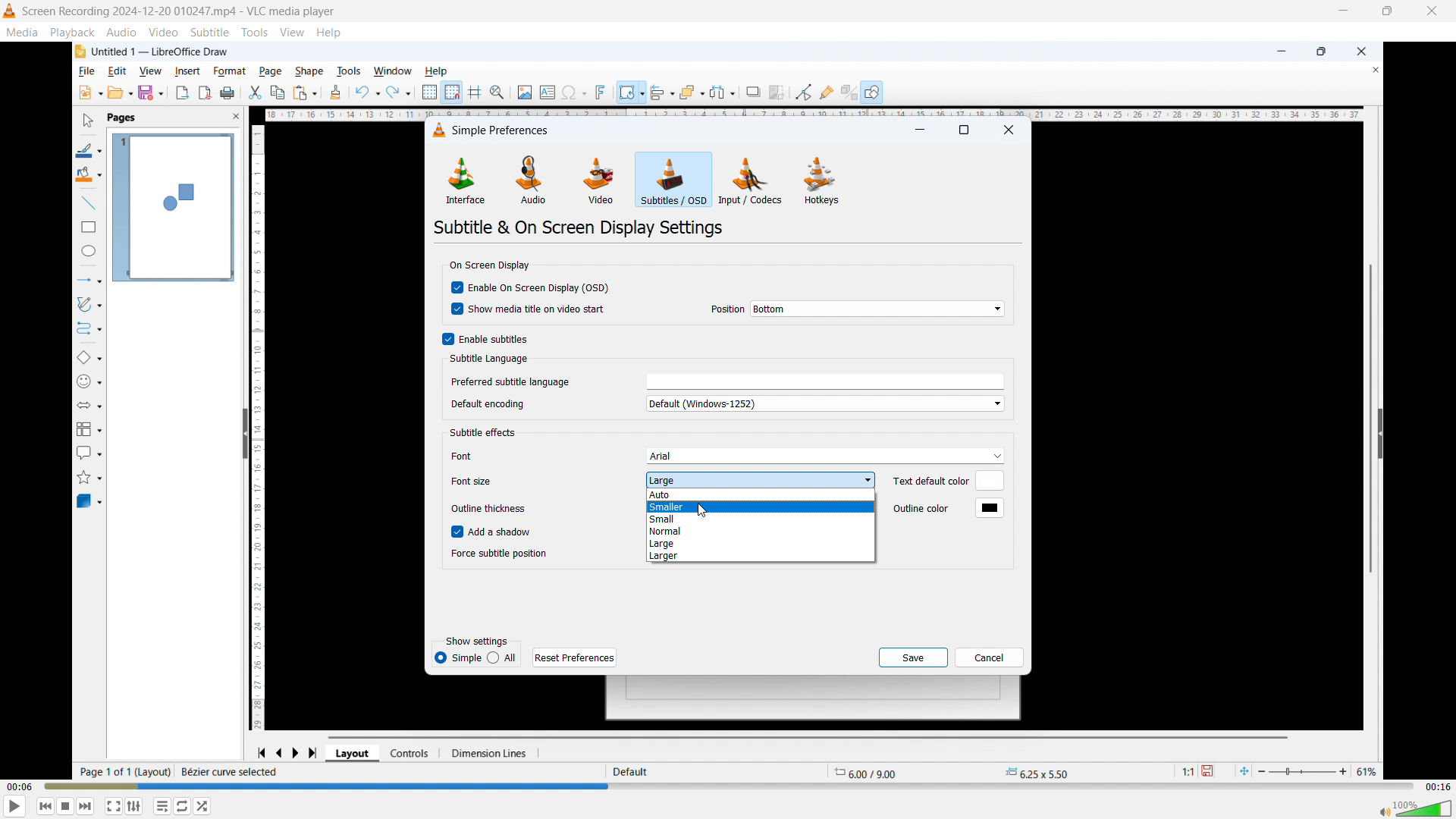 This screenshot has width=1456, height=819. What do you see at coordinates (457, 660) in the screenshot?
I see `Simple` at bounding box center [457, 660].